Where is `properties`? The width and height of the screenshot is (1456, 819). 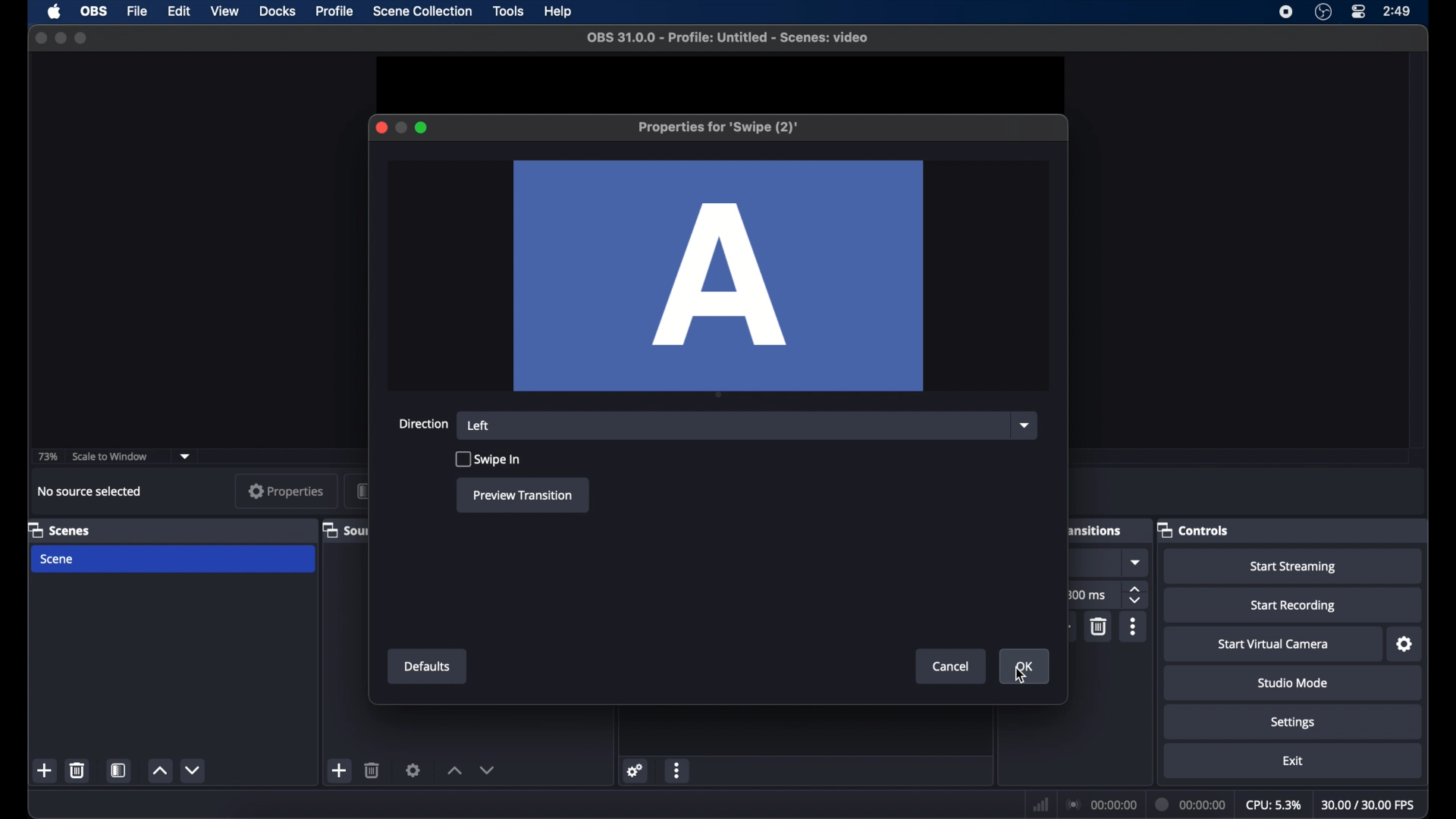
properties is located at coordinates (287, 491).